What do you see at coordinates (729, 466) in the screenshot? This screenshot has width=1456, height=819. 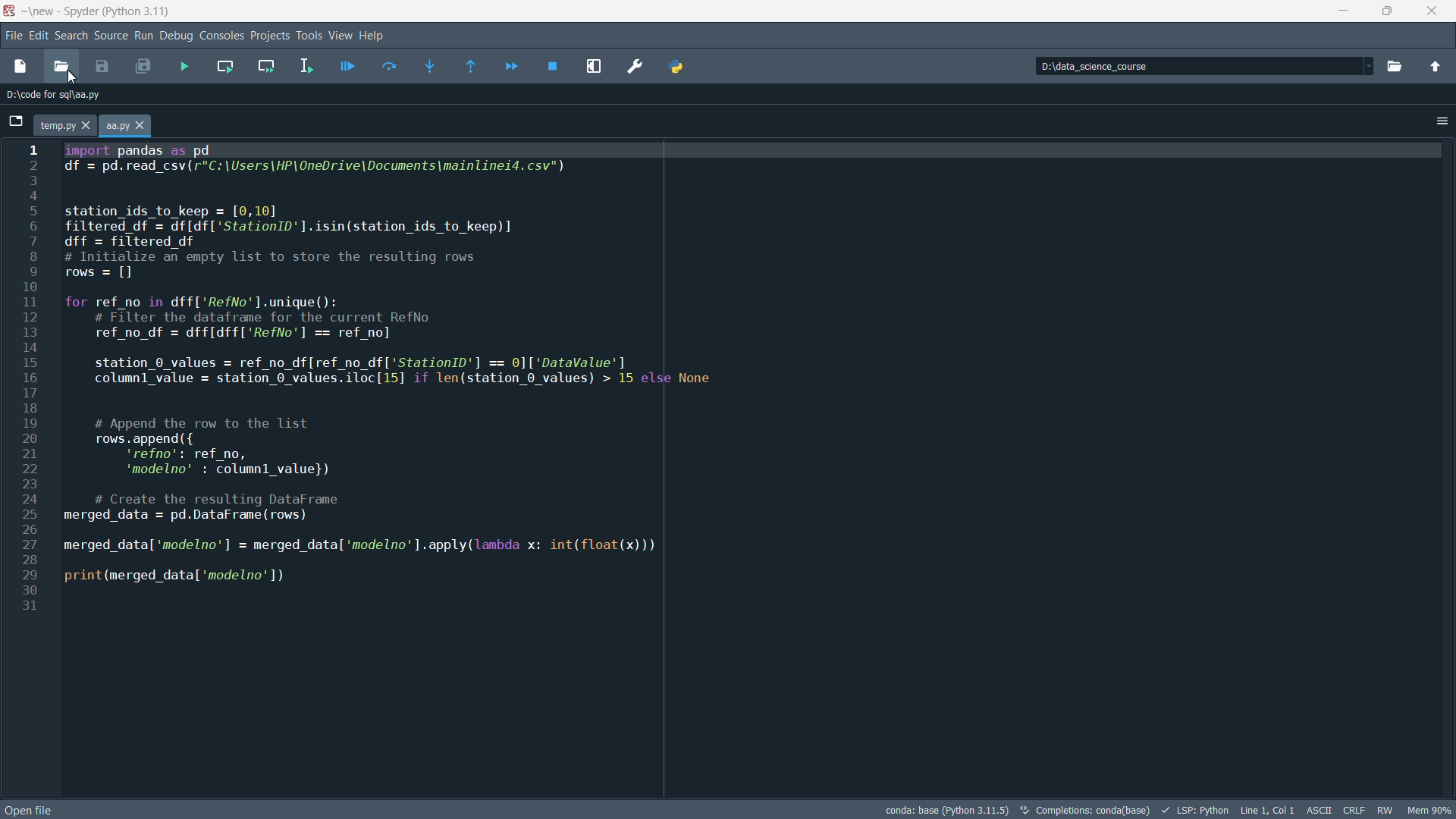 I see `code Editor` at bounding box center [729, 466].